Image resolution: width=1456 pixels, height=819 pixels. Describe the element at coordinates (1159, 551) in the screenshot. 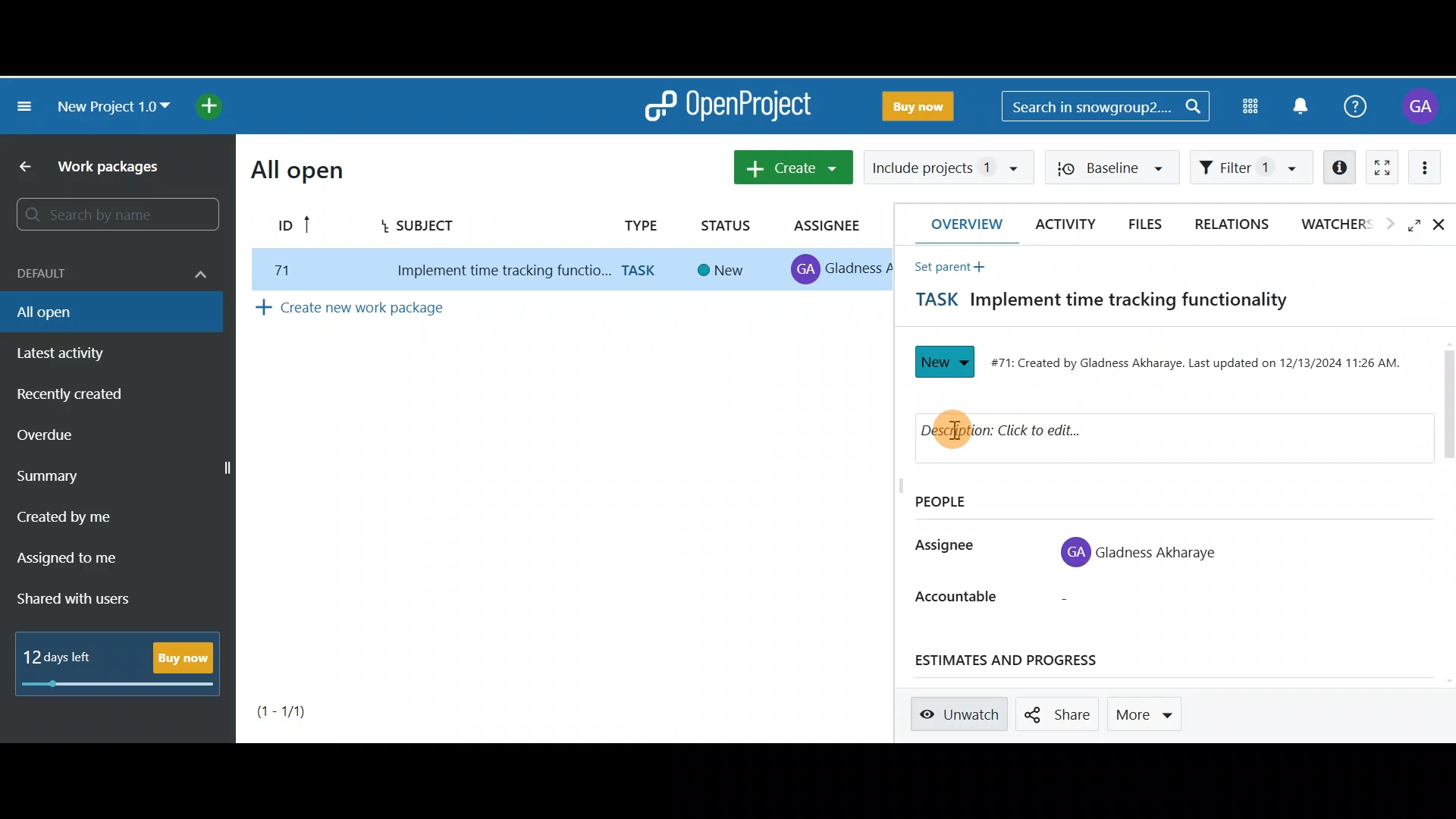

I see `Gladness Akharaye` at that location.